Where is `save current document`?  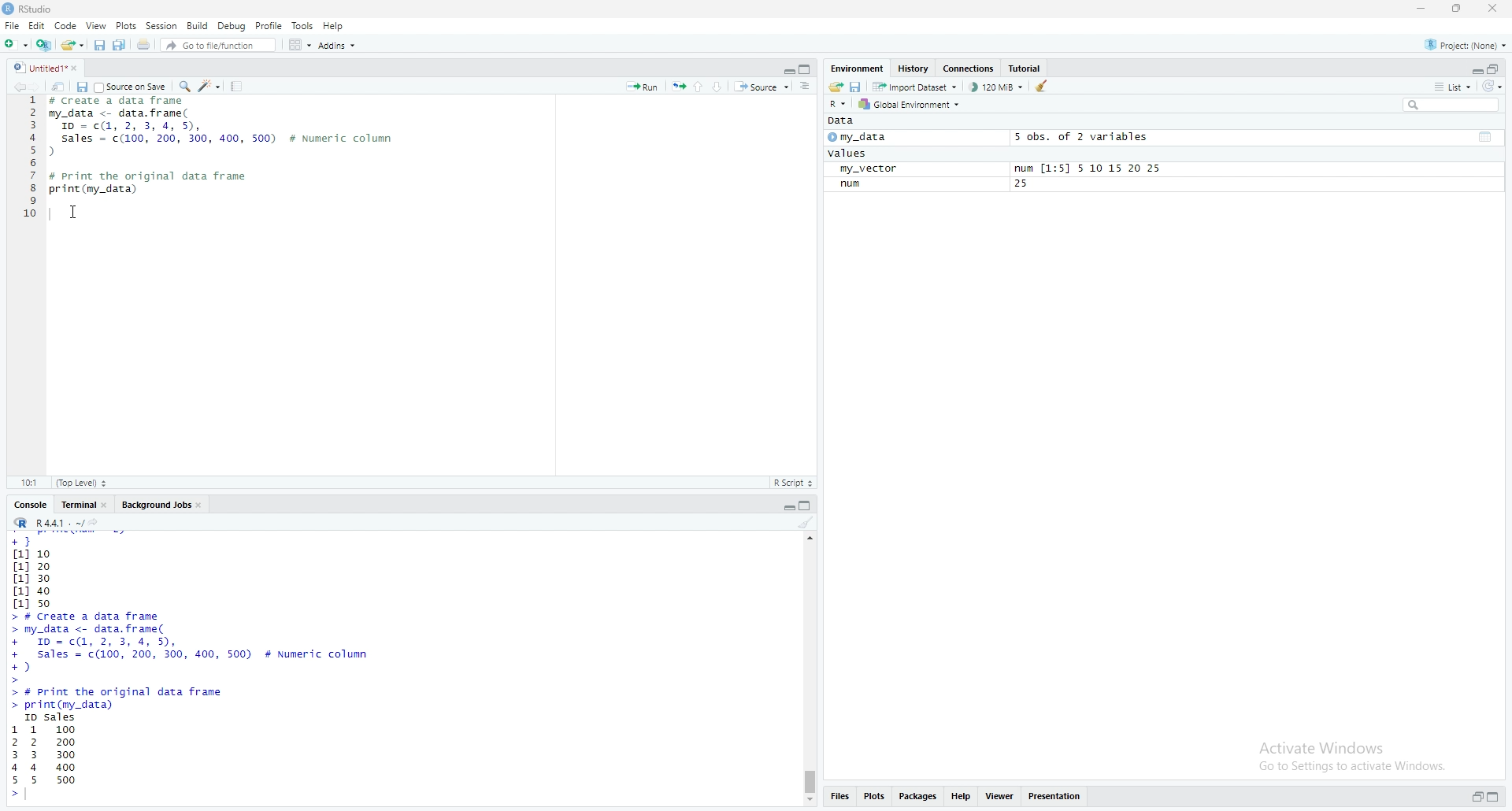 save current document is located at coordinates (101, 46).